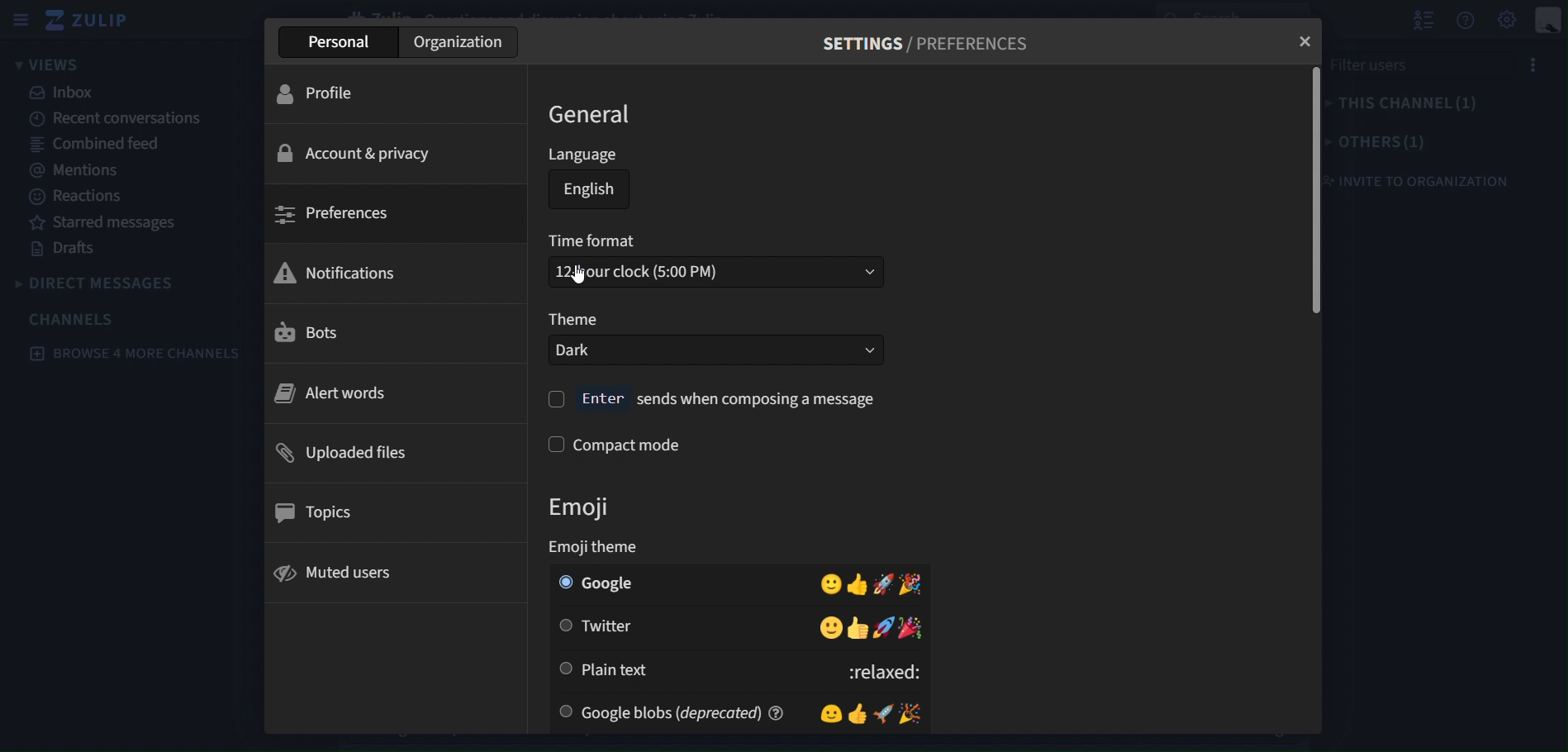 This screenshot has height=752, width=1568. Describe the element at coordinates (389, 331) in the screenshot. I see `bots` at that location.